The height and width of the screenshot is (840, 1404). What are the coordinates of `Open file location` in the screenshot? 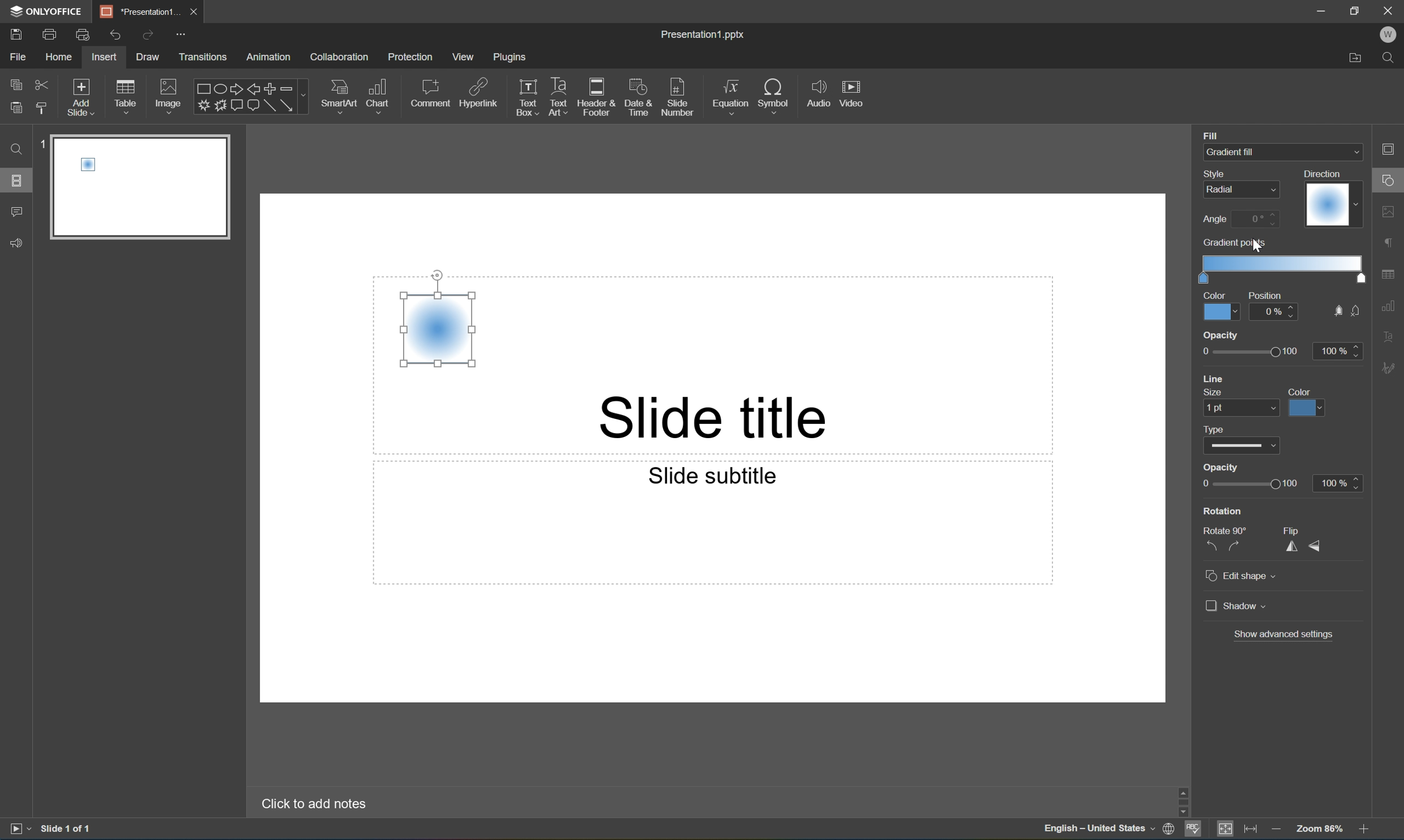 It's located at (1356, 60).